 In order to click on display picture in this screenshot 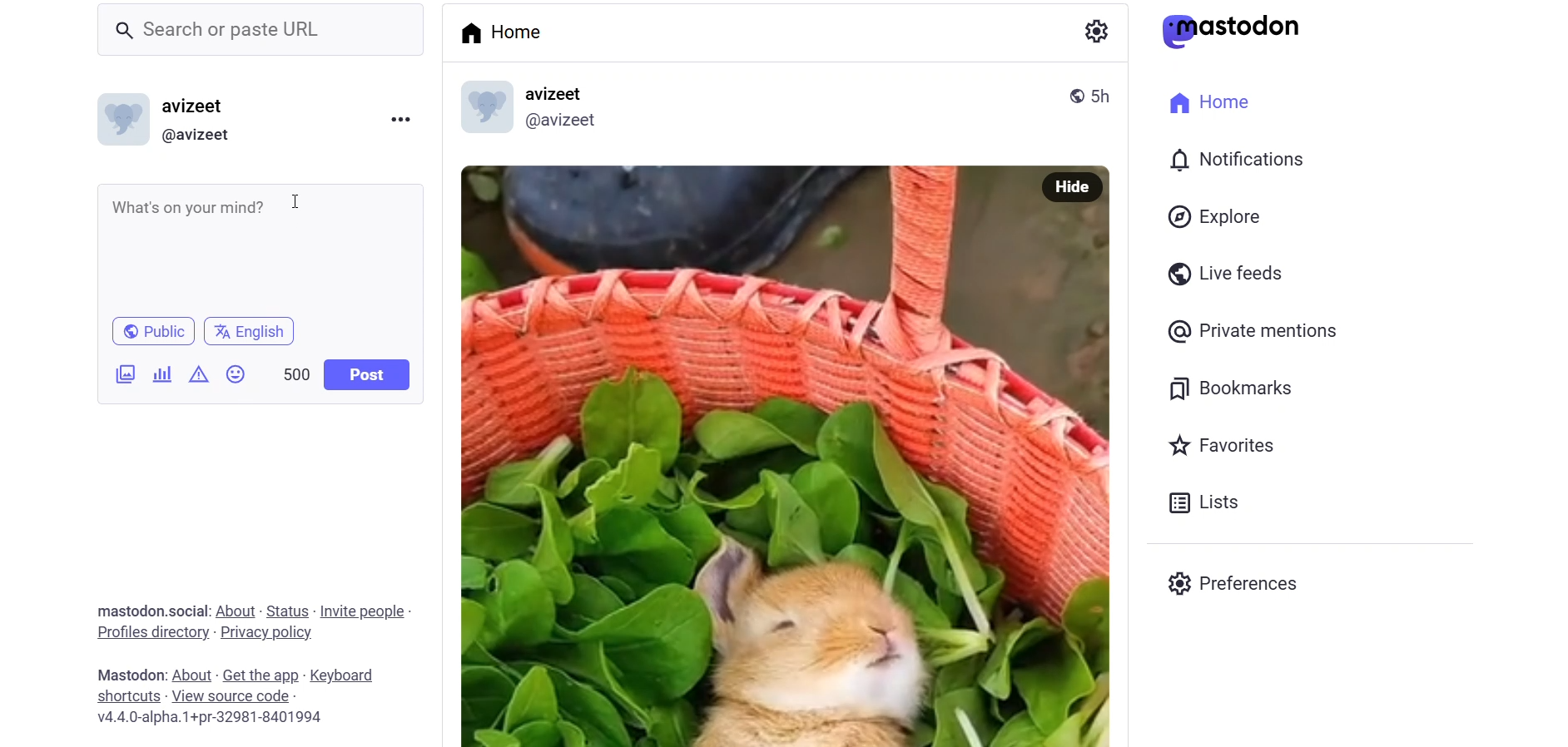, I will do `click(483, 108)`.